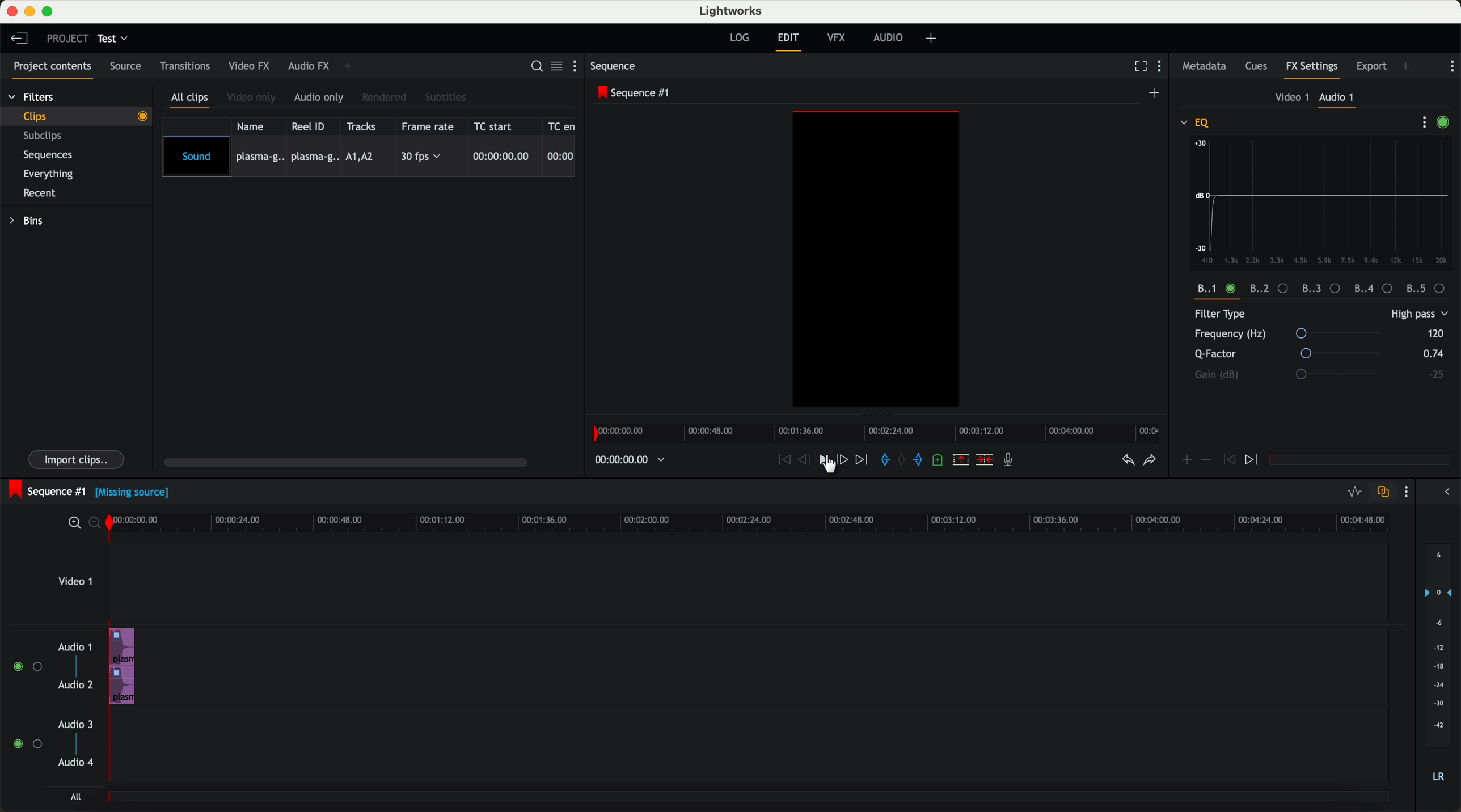 This screenshot has width=1461, height=812. What do you see at coordinates (1354, 492) in the screenshot?
I see `toggle audio levels editing` at bounding box center [1354, 492].